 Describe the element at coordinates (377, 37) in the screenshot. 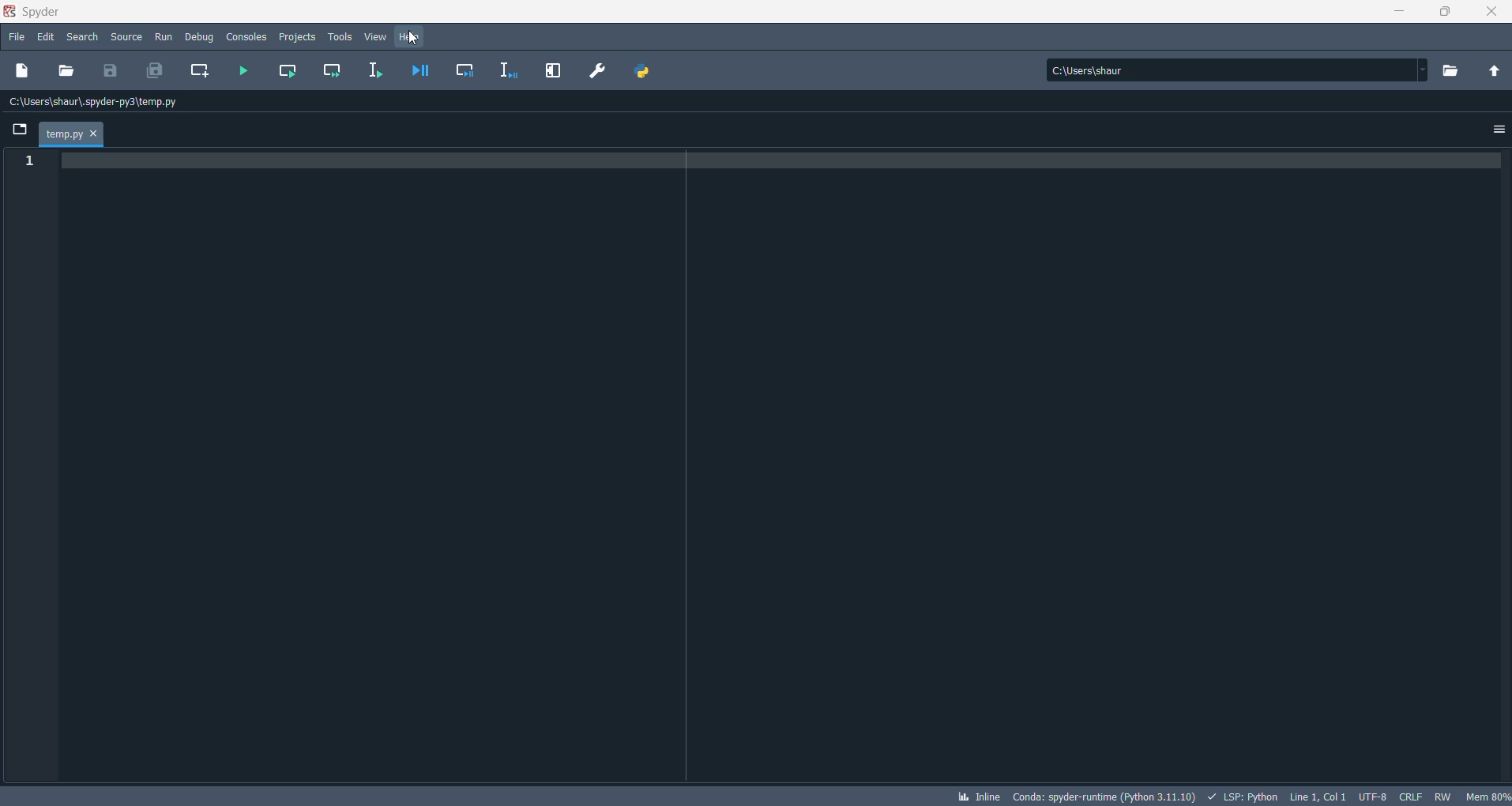

I see `view` at that location.